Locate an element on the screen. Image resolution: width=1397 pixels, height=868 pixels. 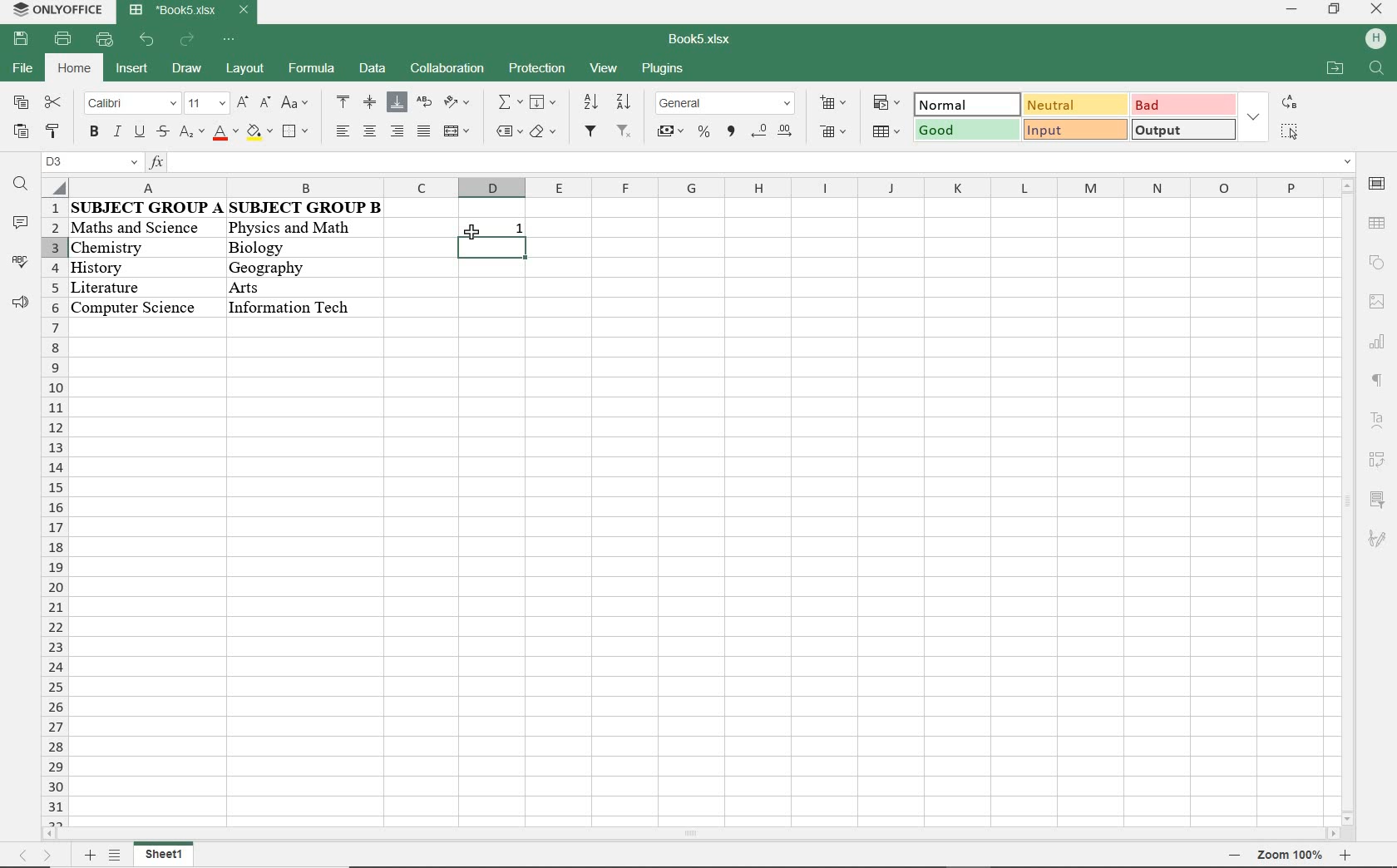
rows is located at coordinates (52, 514).